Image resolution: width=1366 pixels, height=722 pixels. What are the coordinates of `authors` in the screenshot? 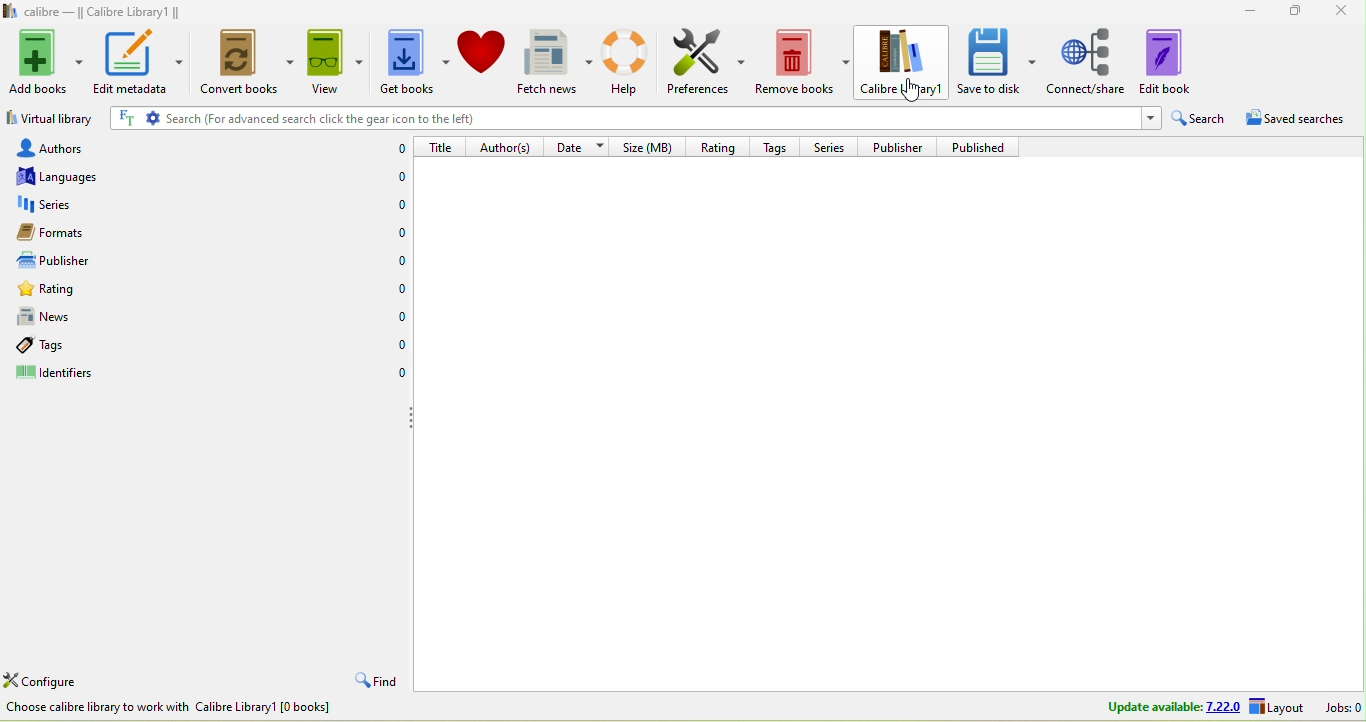 It's located at (69, 147).